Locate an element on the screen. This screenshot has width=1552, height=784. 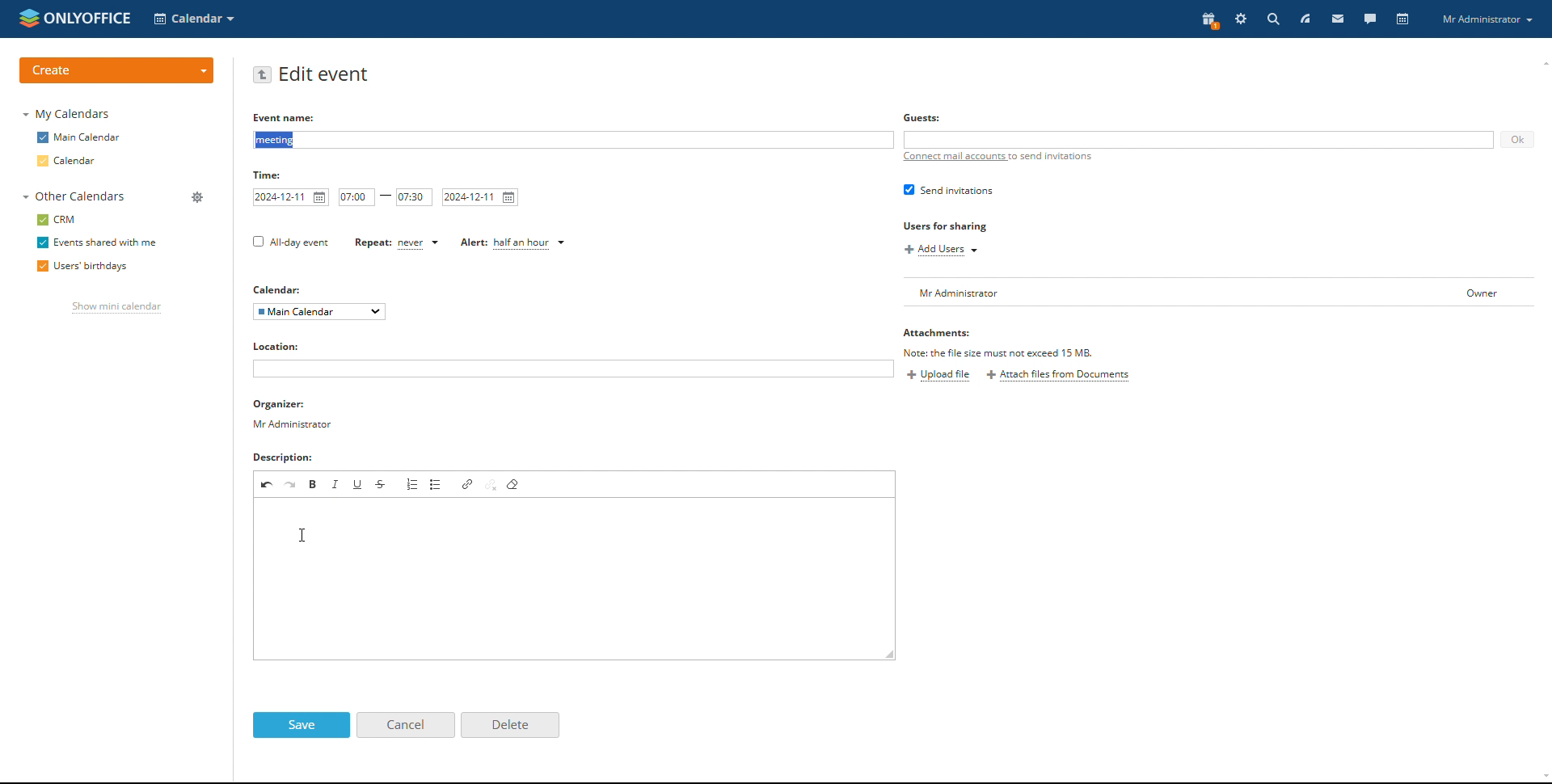
Users for sharing is located at coordinates (943, 227).